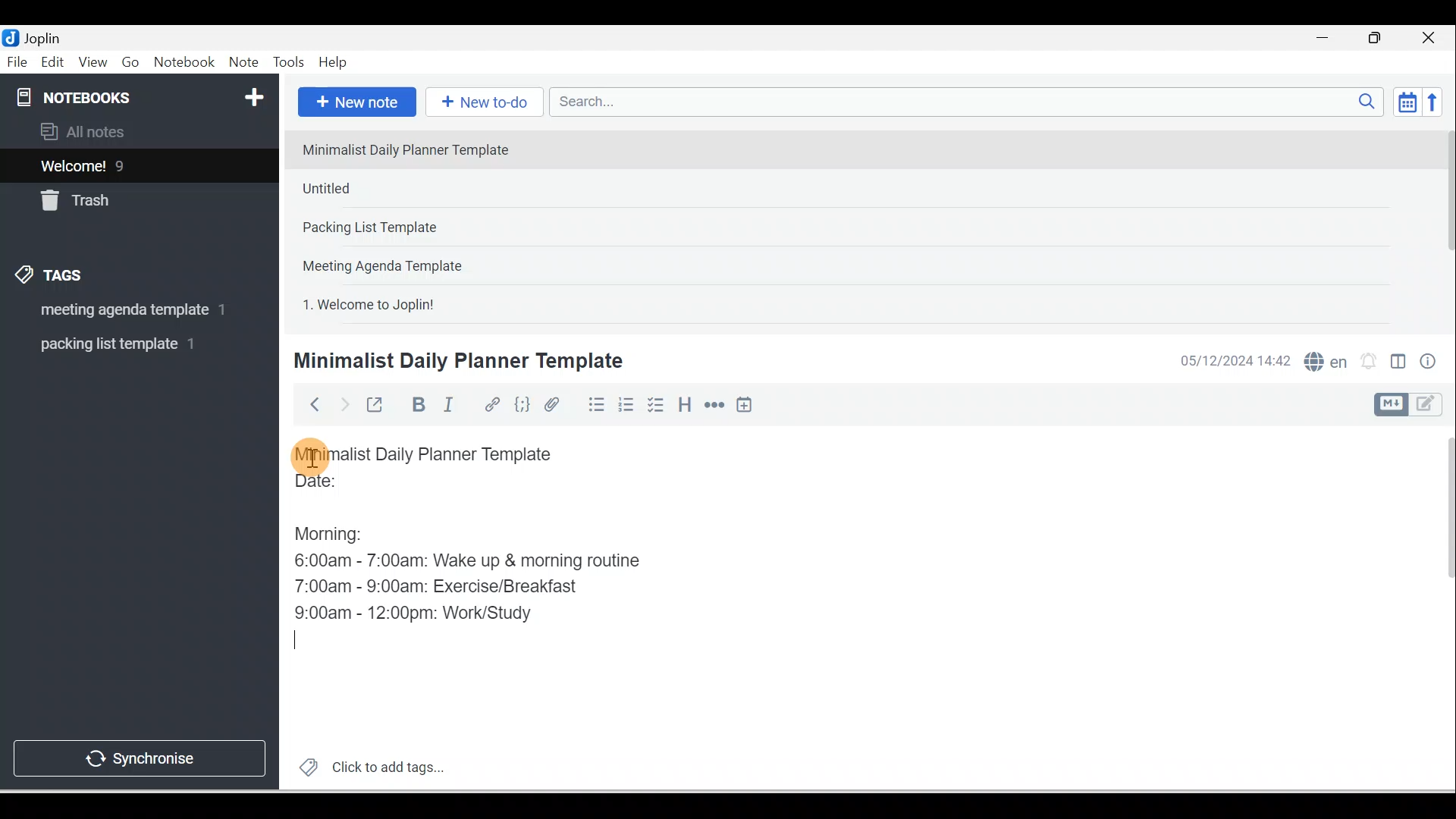 Image resolution: width=1456 pixels, height=819 pixels. I want to click on Heading, so click(684, 403).